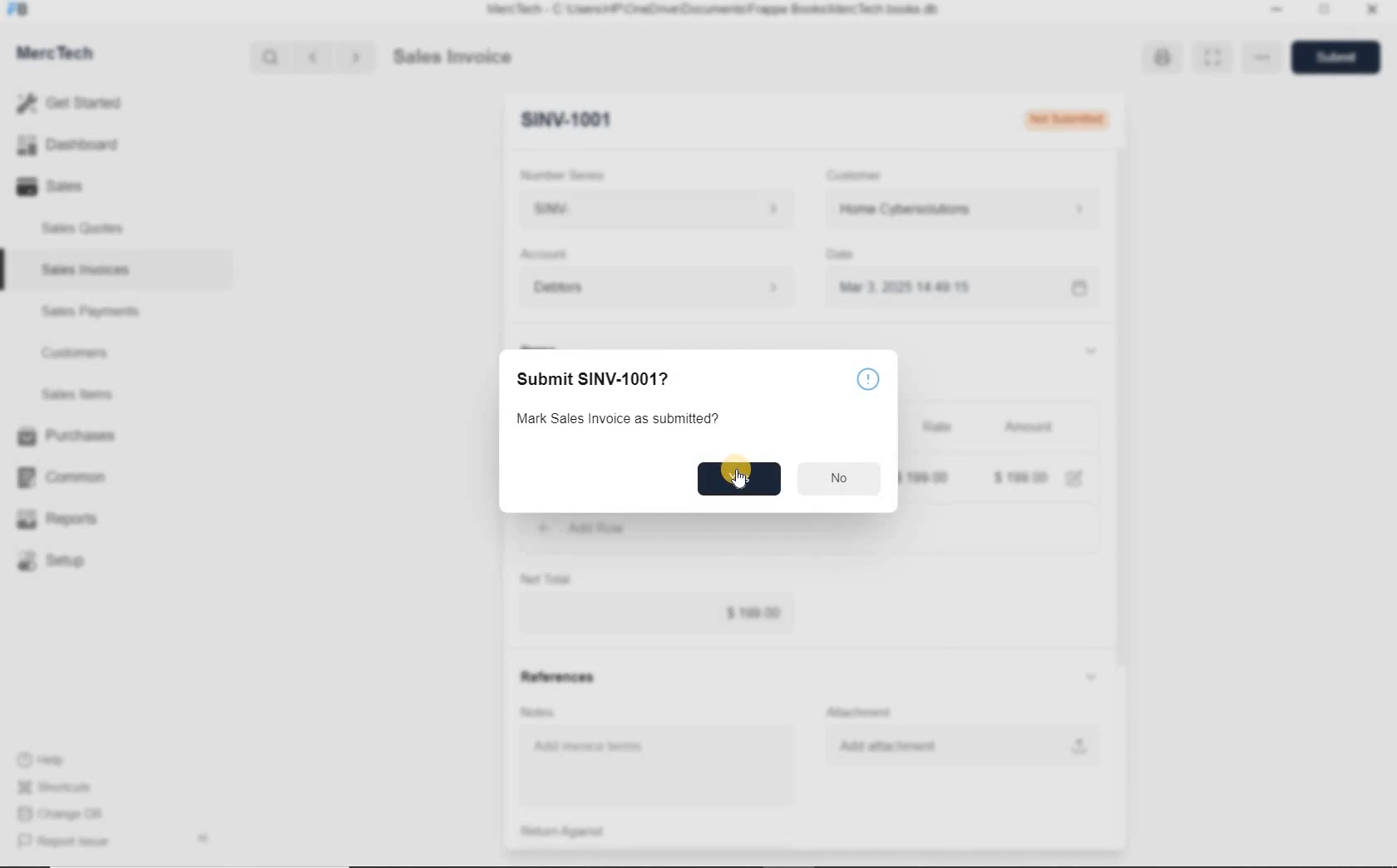  I want to click on Return Against, so click(575, 831).